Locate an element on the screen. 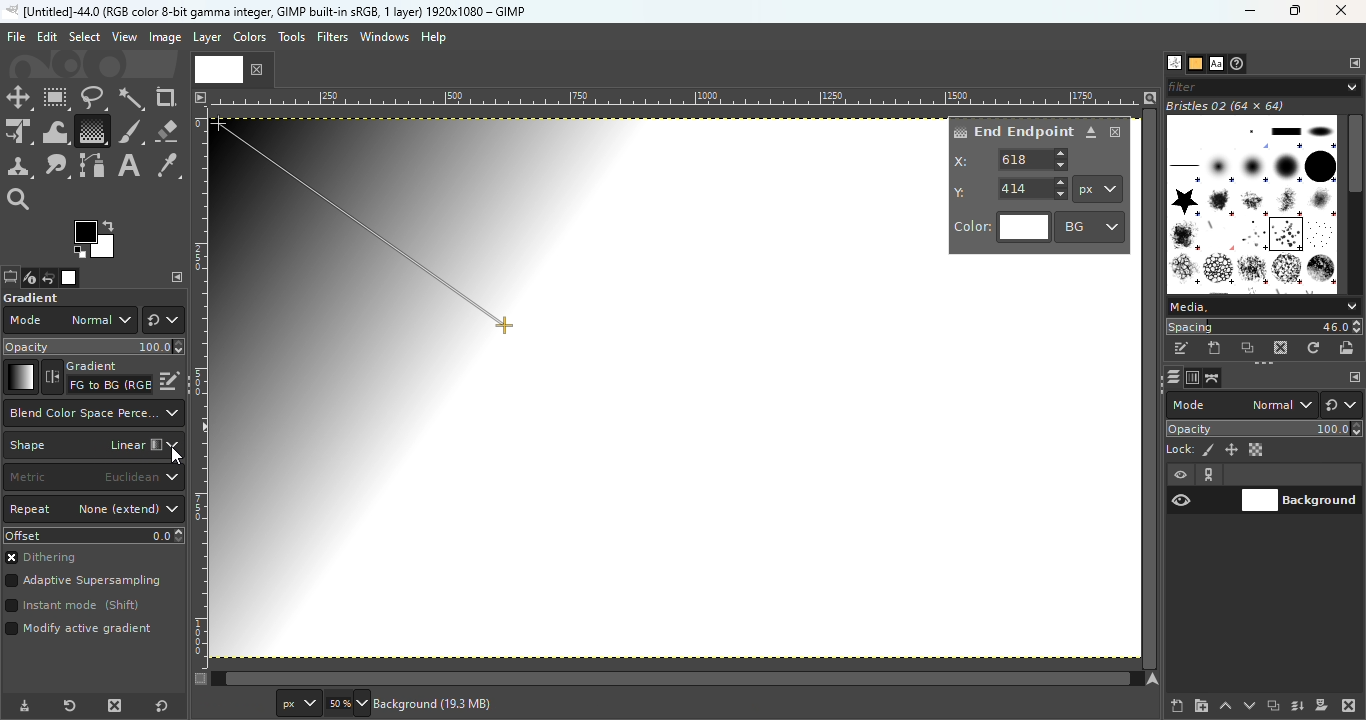 The image size is (1366, 720). Fuzzy select tool  is located at coordinates (132, 98).